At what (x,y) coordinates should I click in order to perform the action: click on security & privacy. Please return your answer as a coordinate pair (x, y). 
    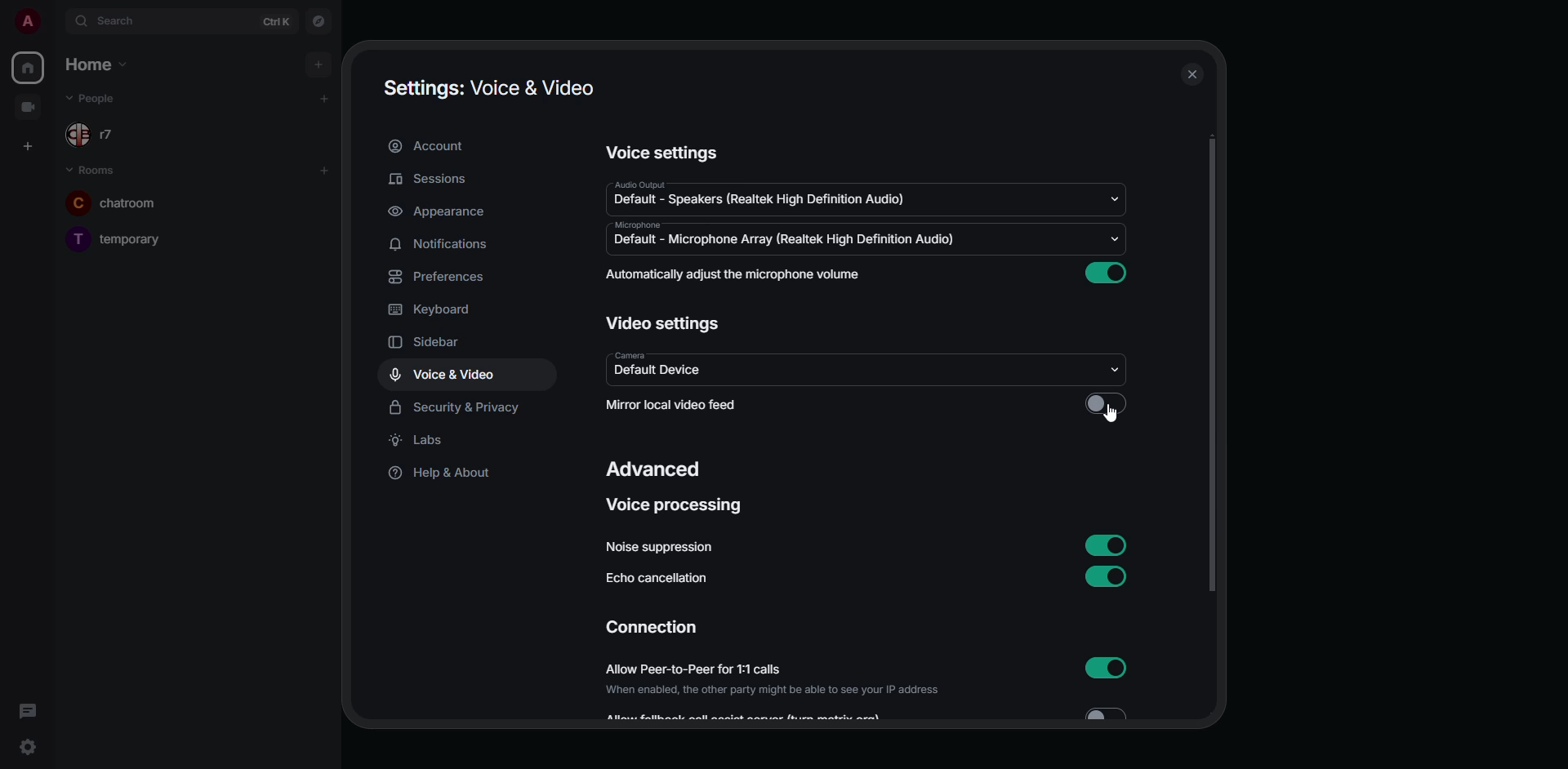
    Looking at the image, I should click on (457, 408).